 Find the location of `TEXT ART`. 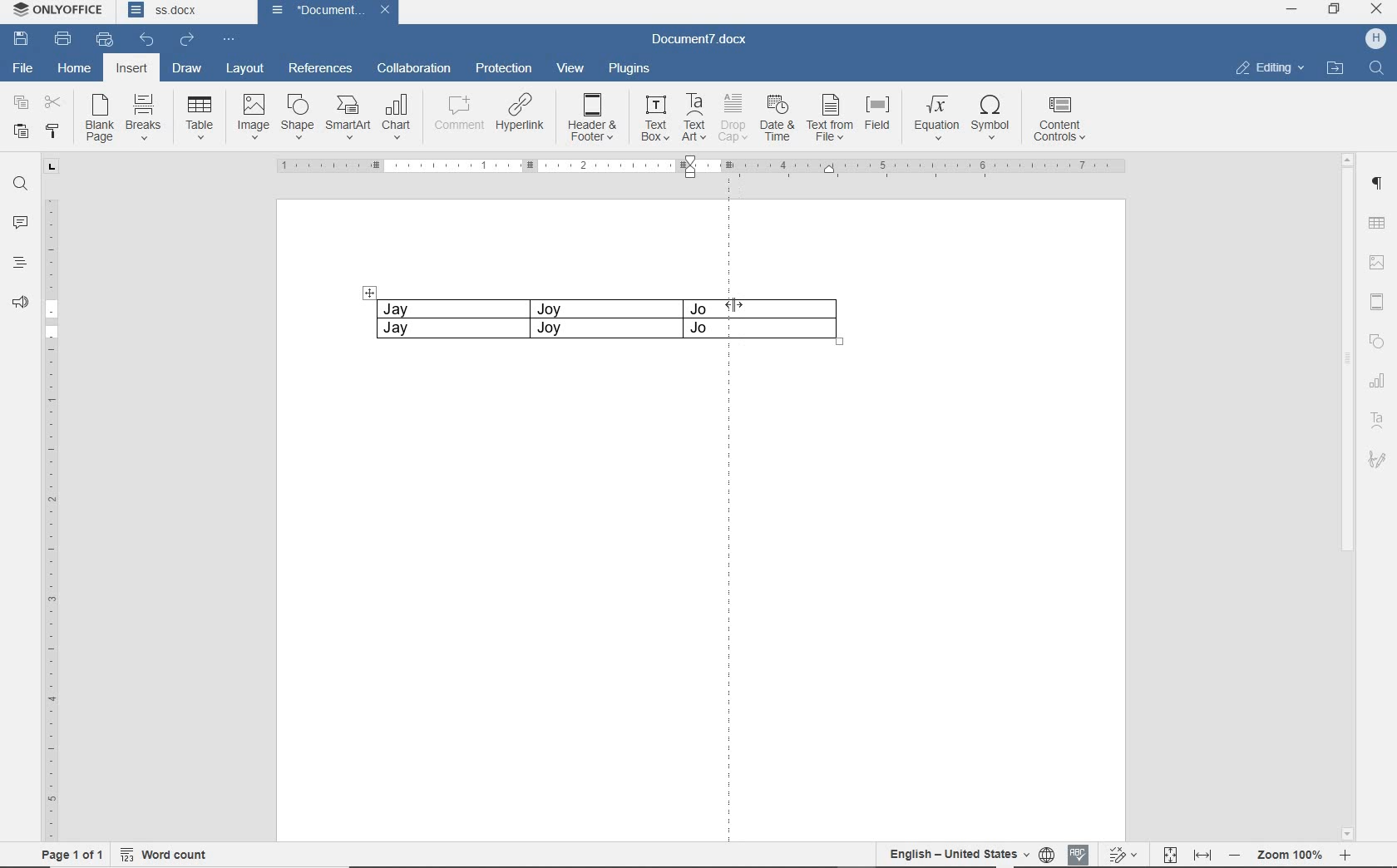

TEXT ART is located at coordinates (694, 117).